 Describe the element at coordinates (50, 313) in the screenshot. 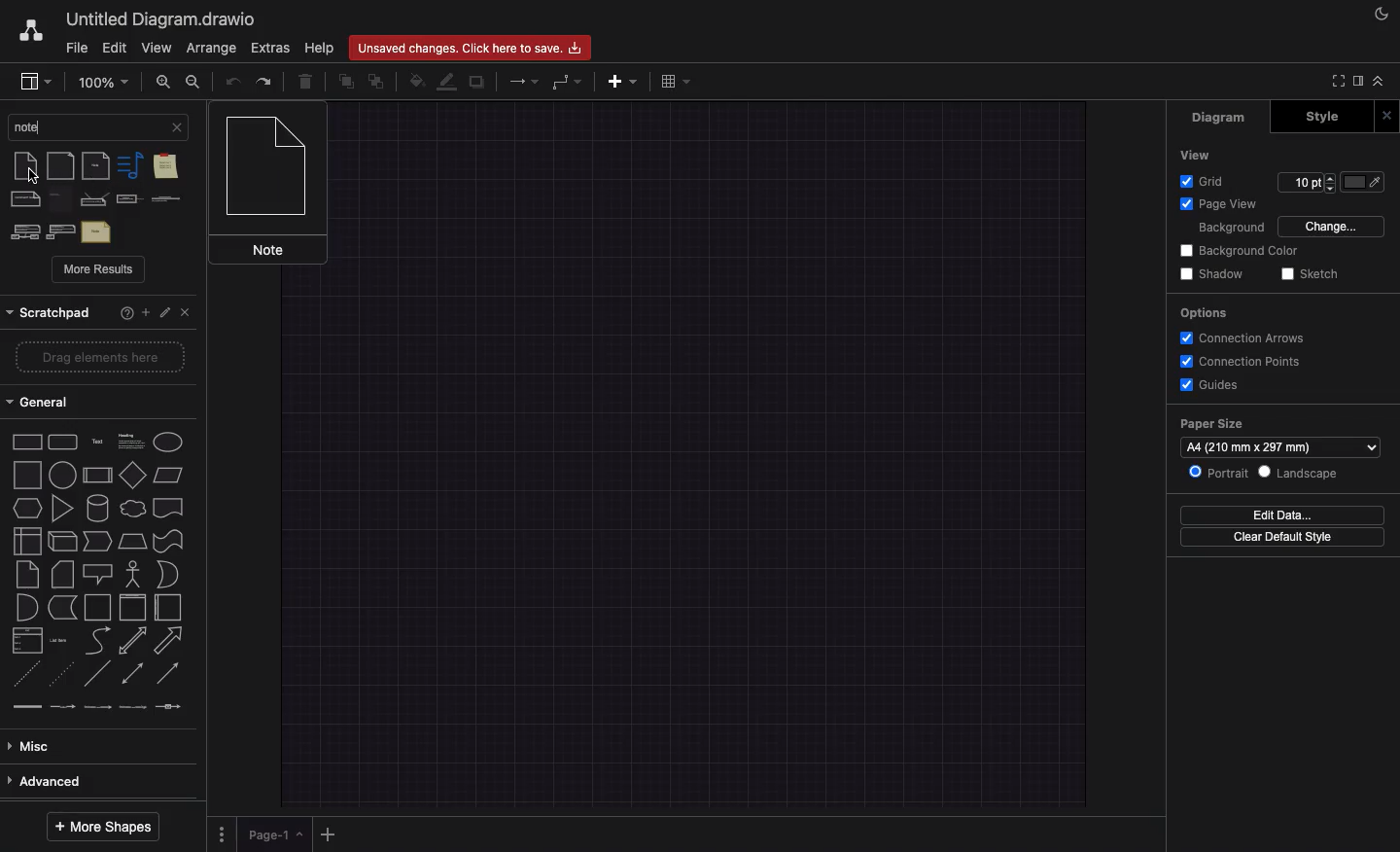

I see `scratchpad` at that location.